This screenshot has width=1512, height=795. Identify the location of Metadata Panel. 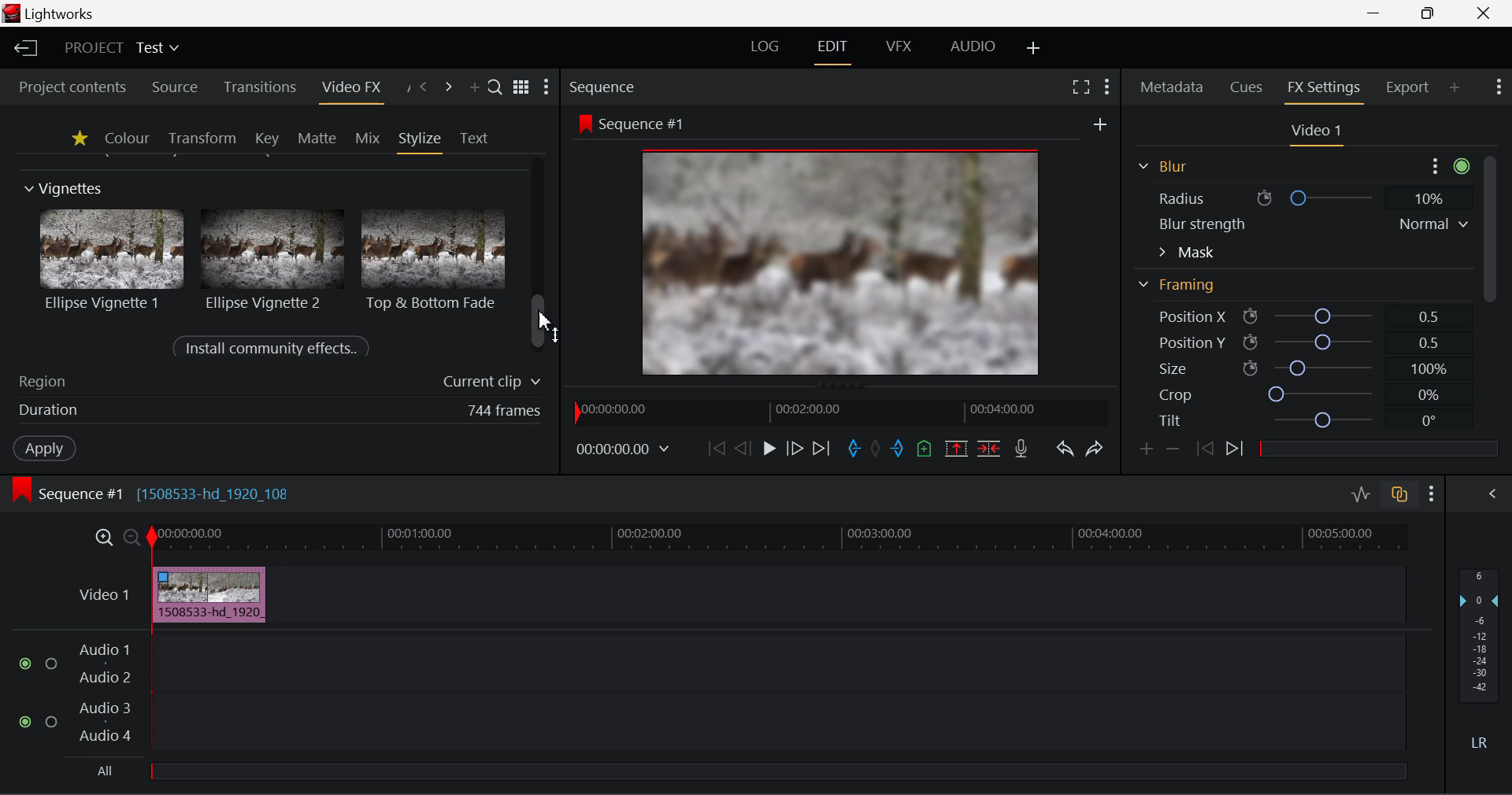
(1170, 88).